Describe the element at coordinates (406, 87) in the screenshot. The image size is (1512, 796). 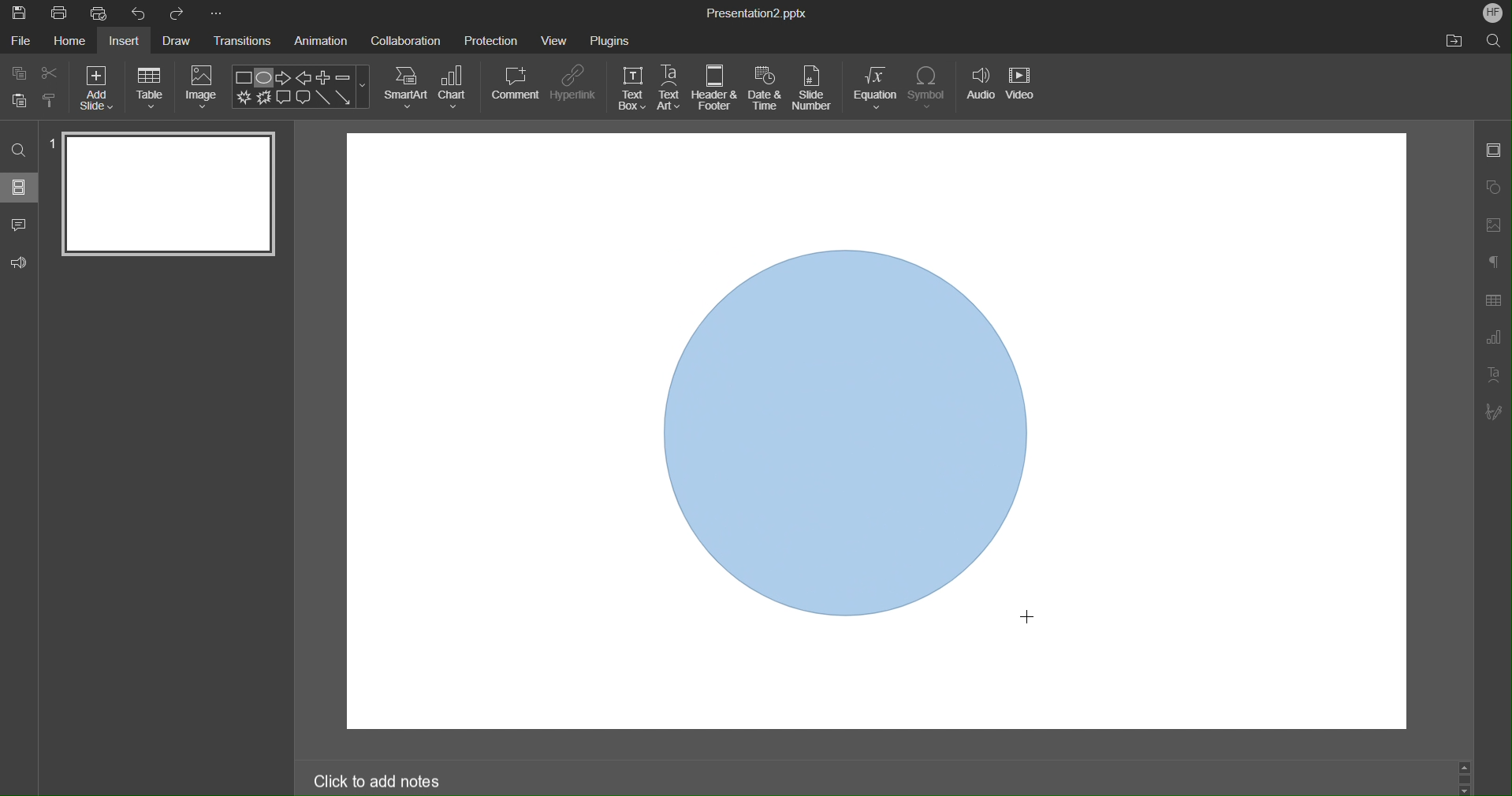
I see `SmartArt` at that location.